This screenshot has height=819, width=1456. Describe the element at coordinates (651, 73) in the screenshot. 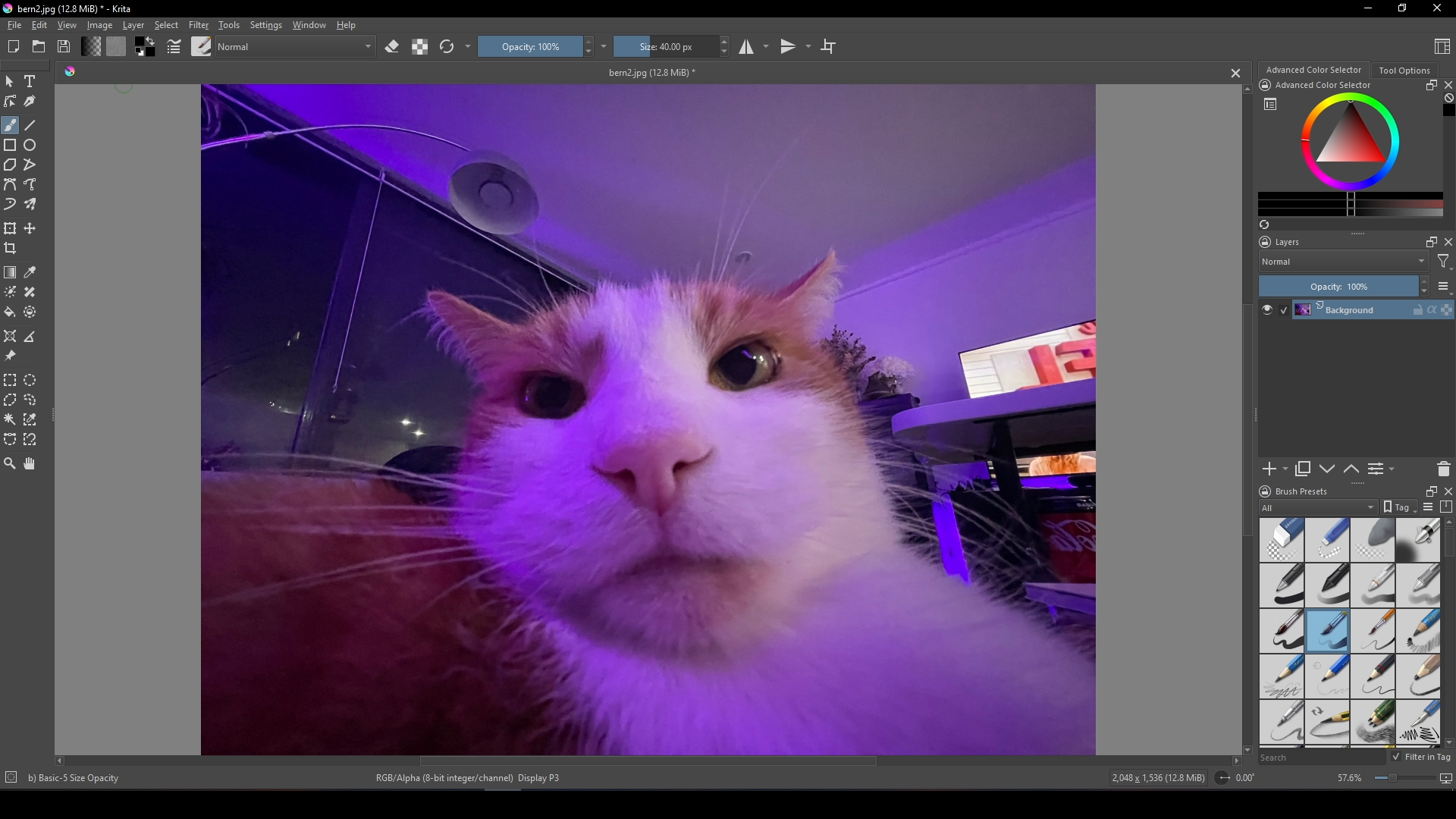

I see `bern2.jpg (12.6 mib)` at that location.